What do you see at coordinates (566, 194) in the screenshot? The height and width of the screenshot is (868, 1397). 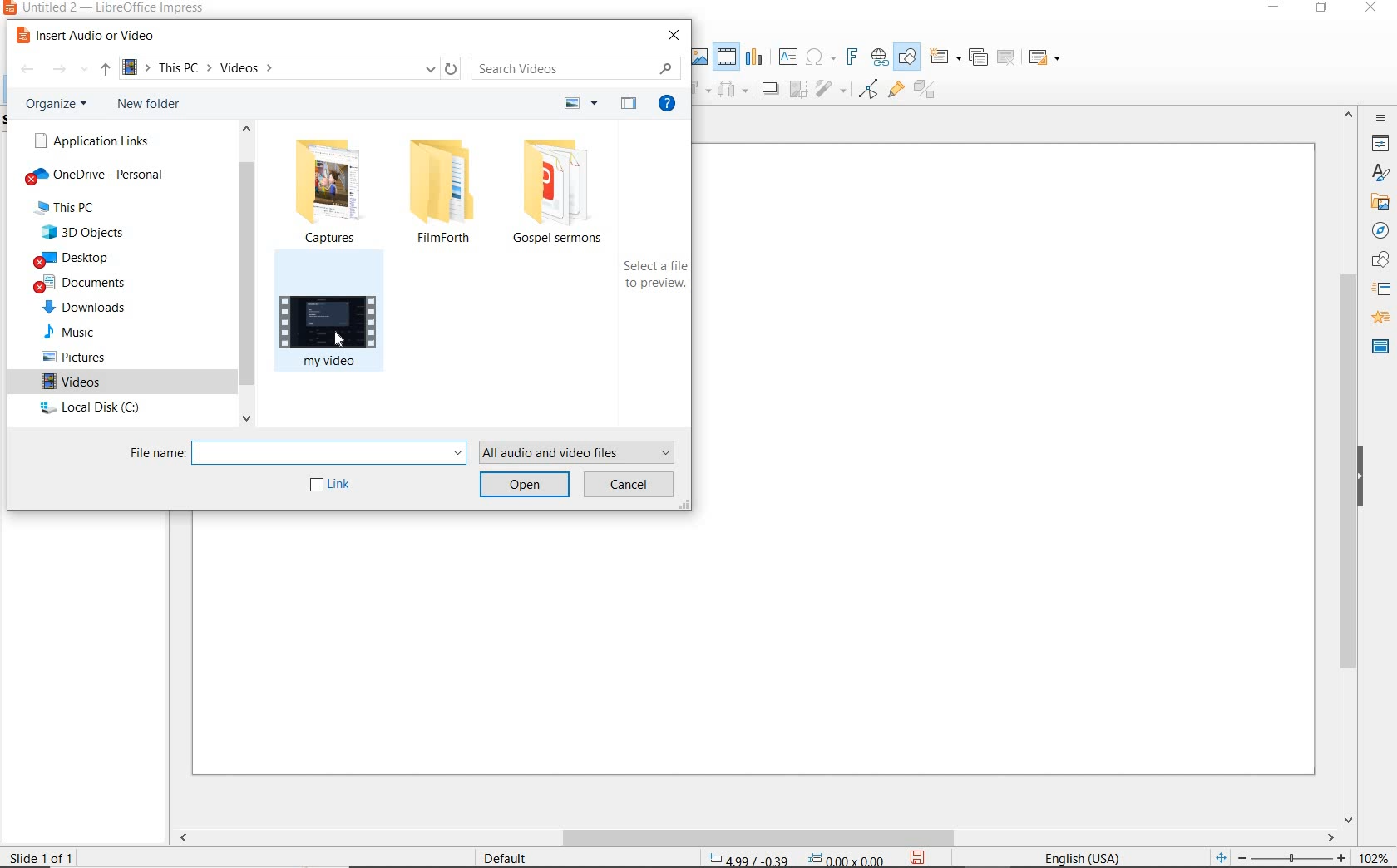 I see `Gospel sermons folder` at bounding box center [566, 194].